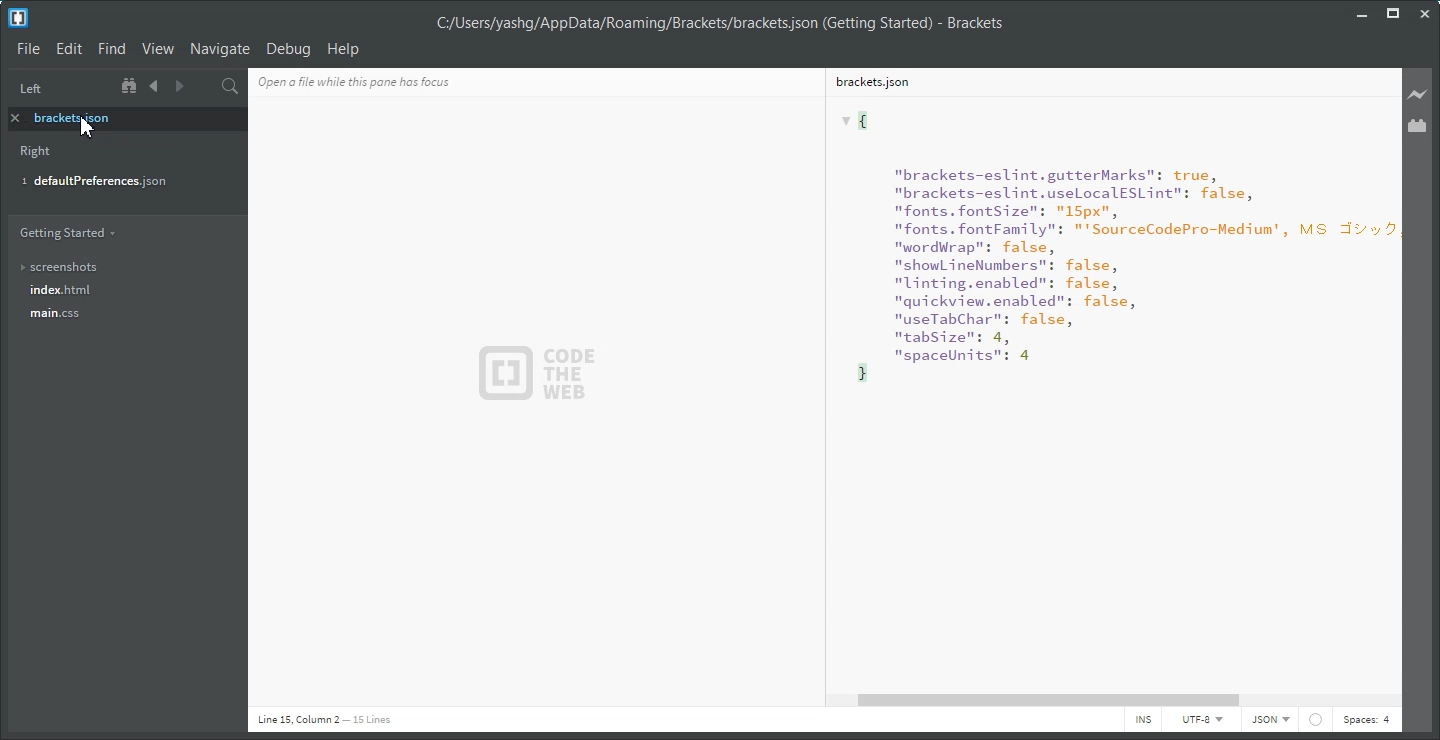 The width and height of the screenshot is (1440, 740). Describe the element at coordinates (30, 89) in the screenshot. I see `Left Panel` at that location.